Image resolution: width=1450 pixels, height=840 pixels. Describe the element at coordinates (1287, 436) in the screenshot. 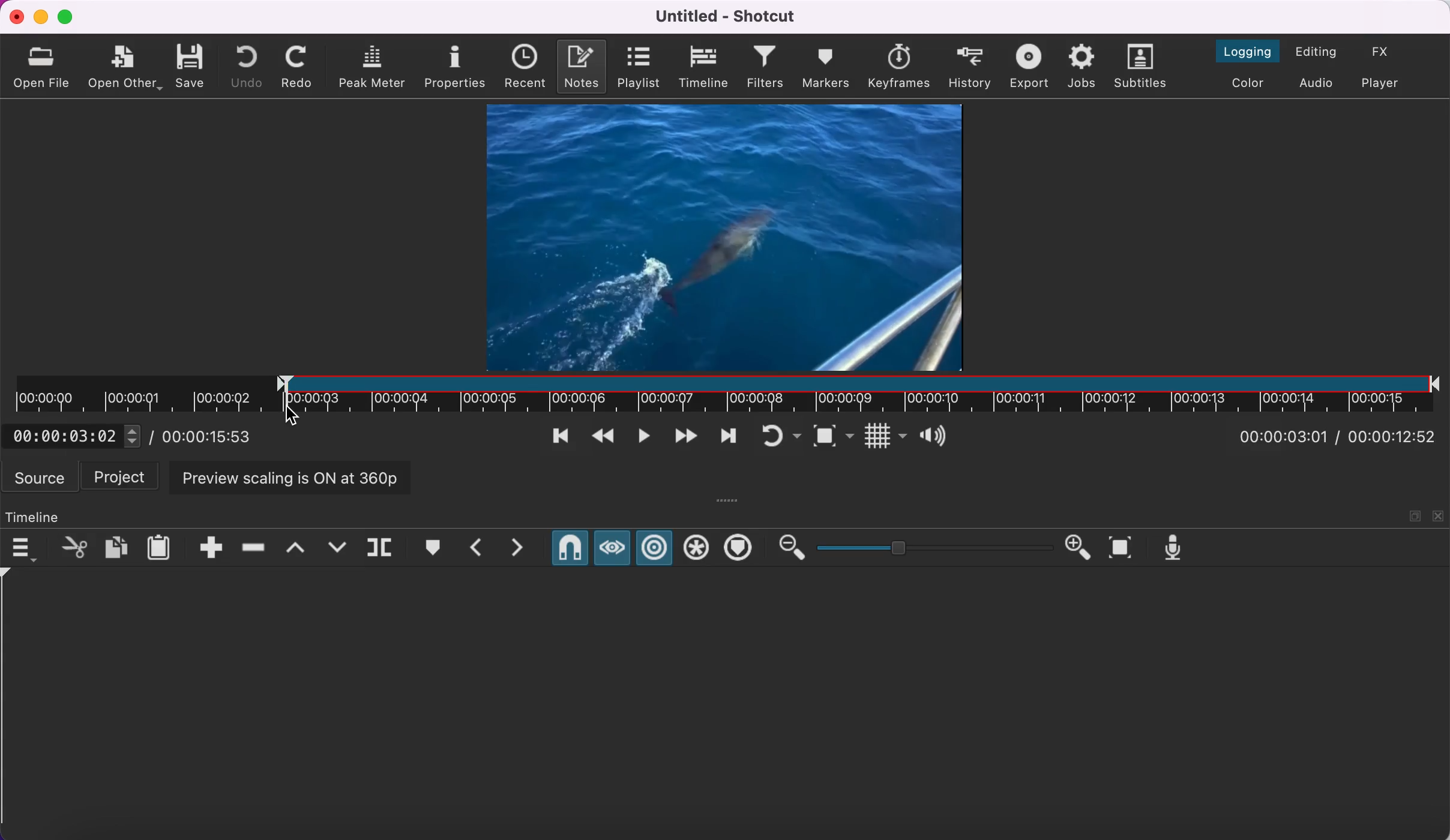

I see `current position` at that location.